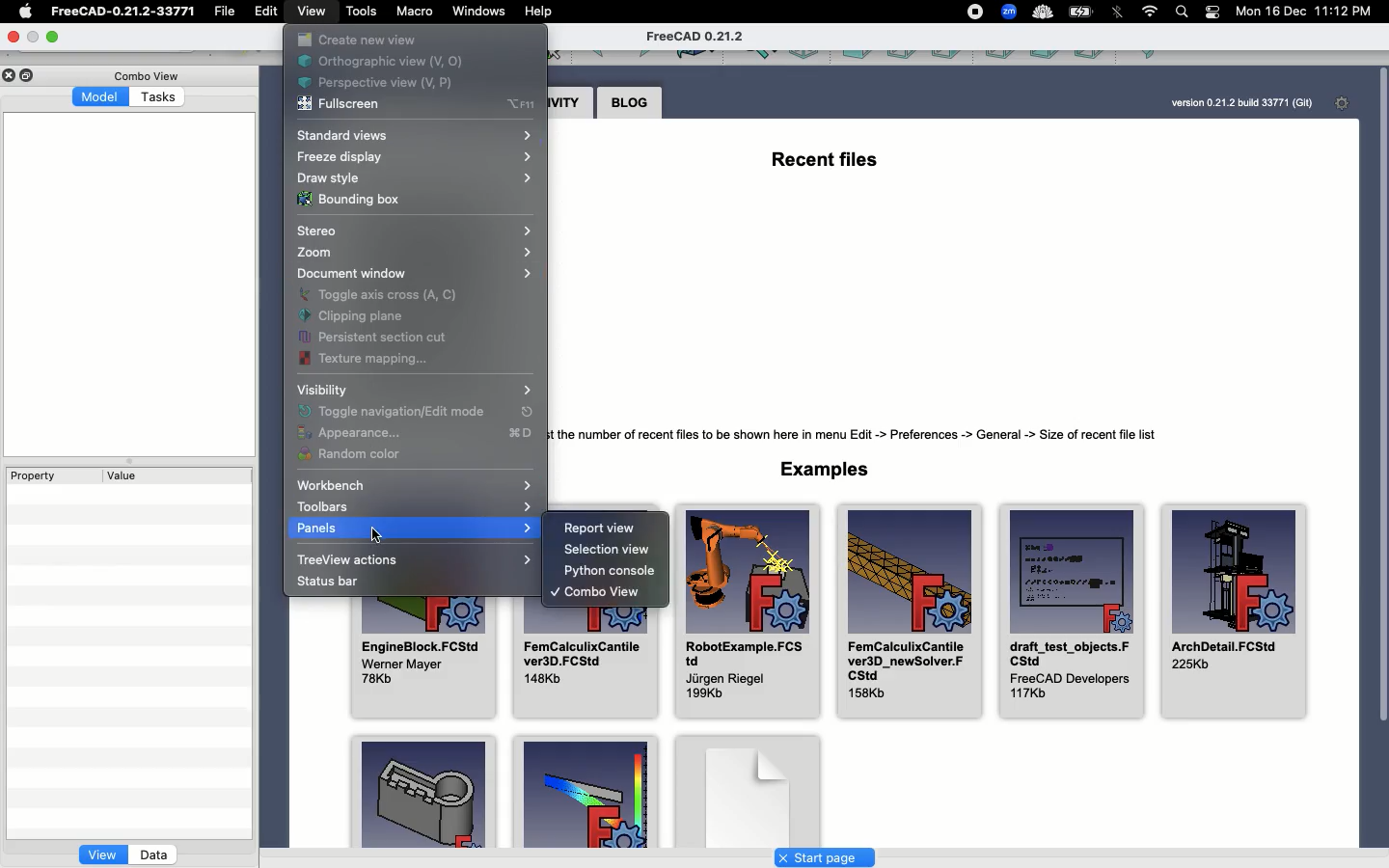 This screenshot has width=1389, height=868. What do you see at coordinates (602, 526) in the screenshot?
I see `Report view` at bounding box center [602, 526].